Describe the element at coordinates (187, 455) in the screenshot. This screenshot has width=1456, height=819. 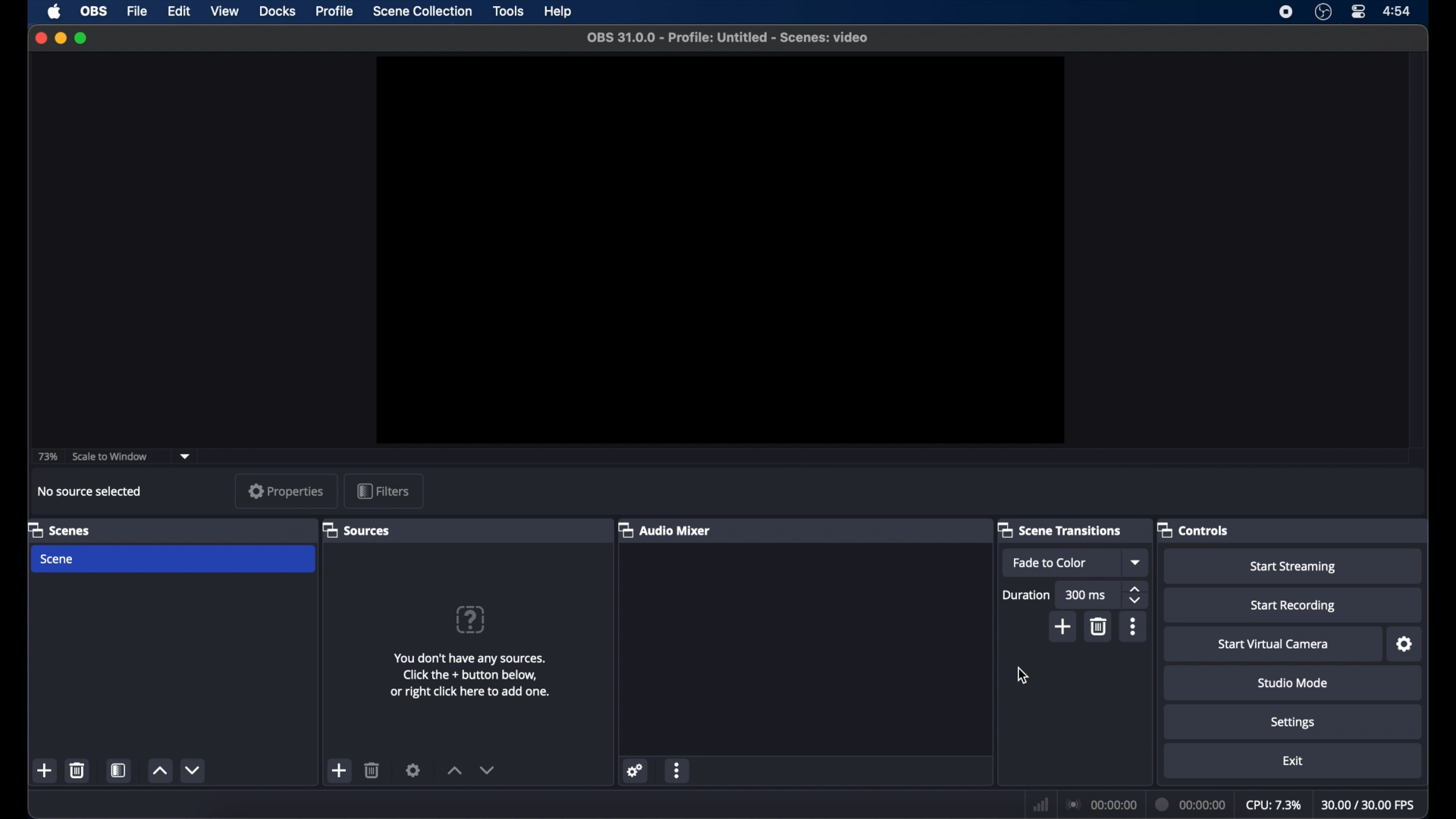
I see `dropdown` at that location.